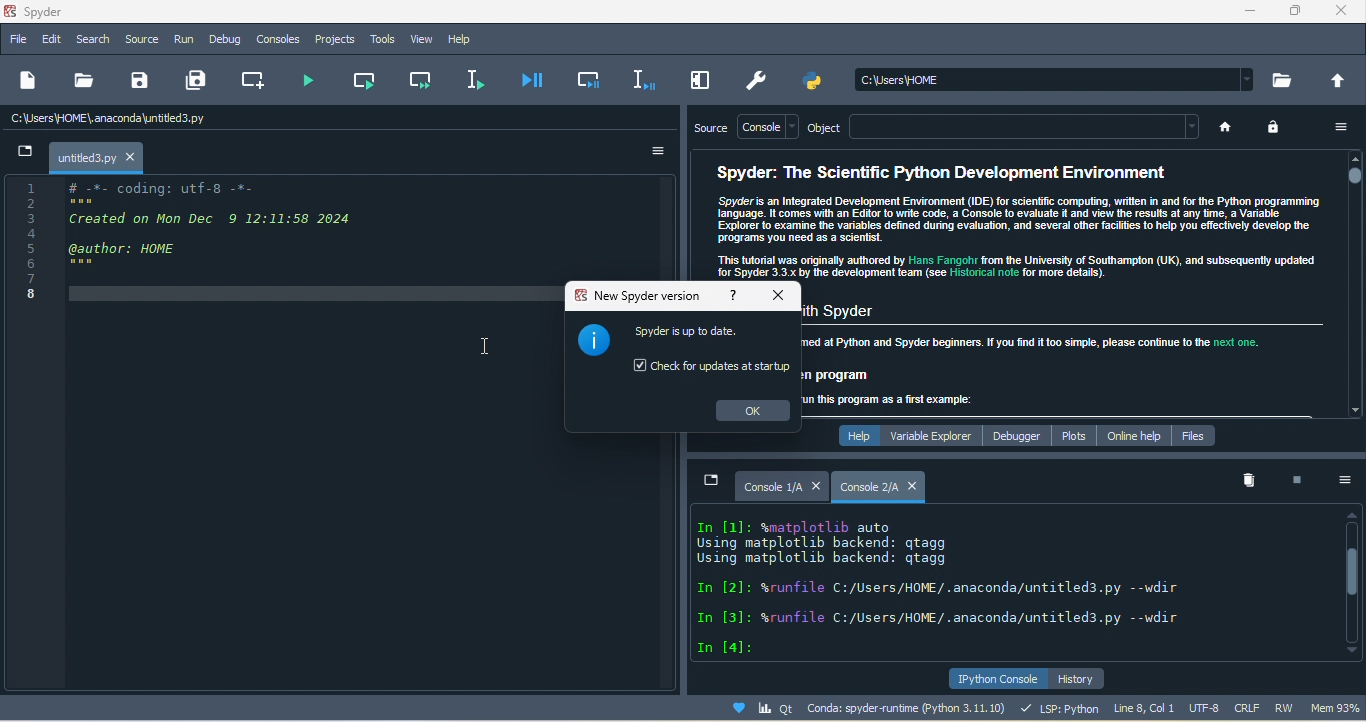 This screenshot has height=722, width=1366. Describe the element at coordinates (1352, 286) in the screenshot. I see `vertical scroll bar` at that location.